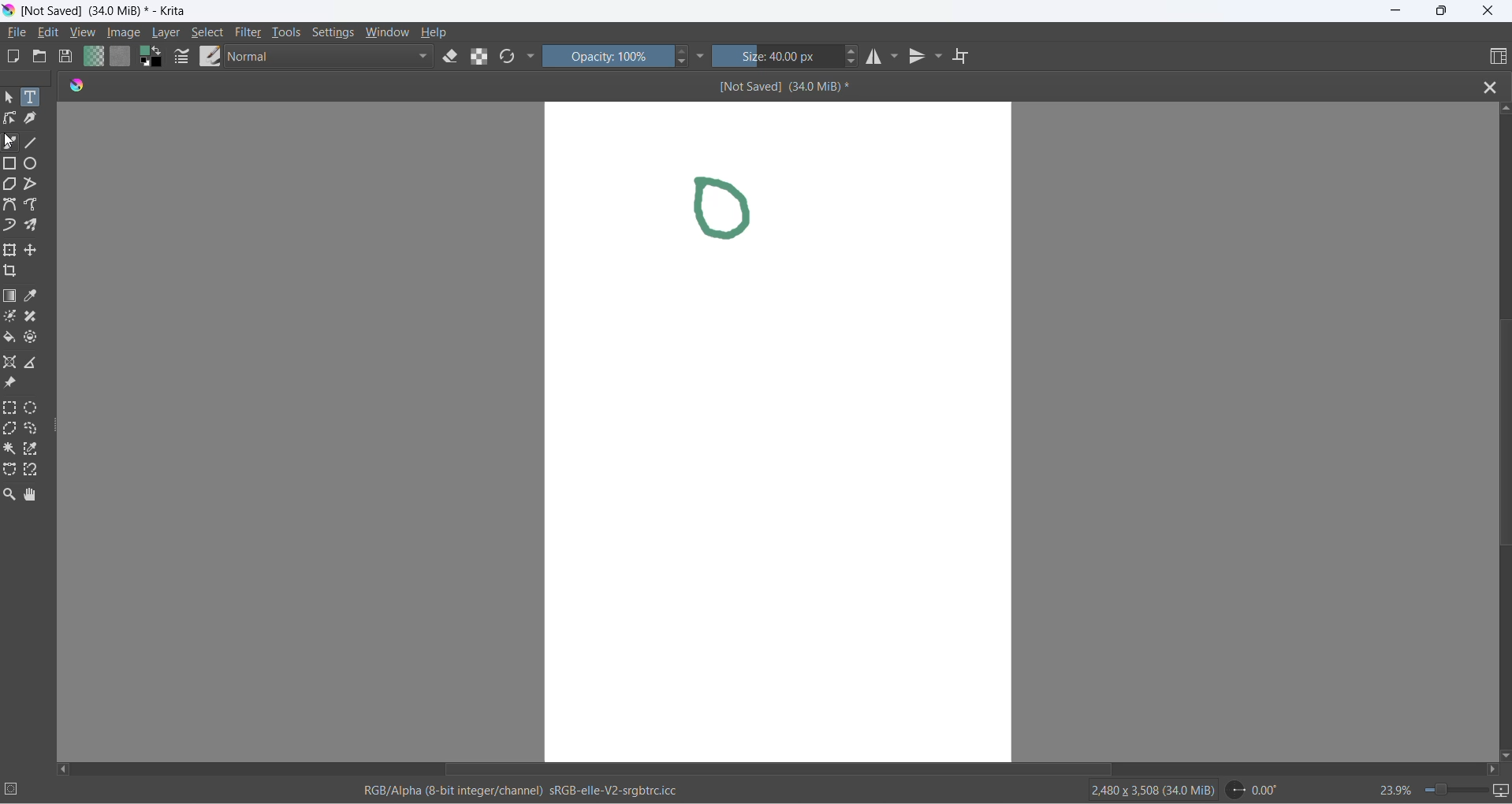 Image resolution: width=1512 pixels, height=804 pixels. I want to click on brush settings, so click(181, 58).